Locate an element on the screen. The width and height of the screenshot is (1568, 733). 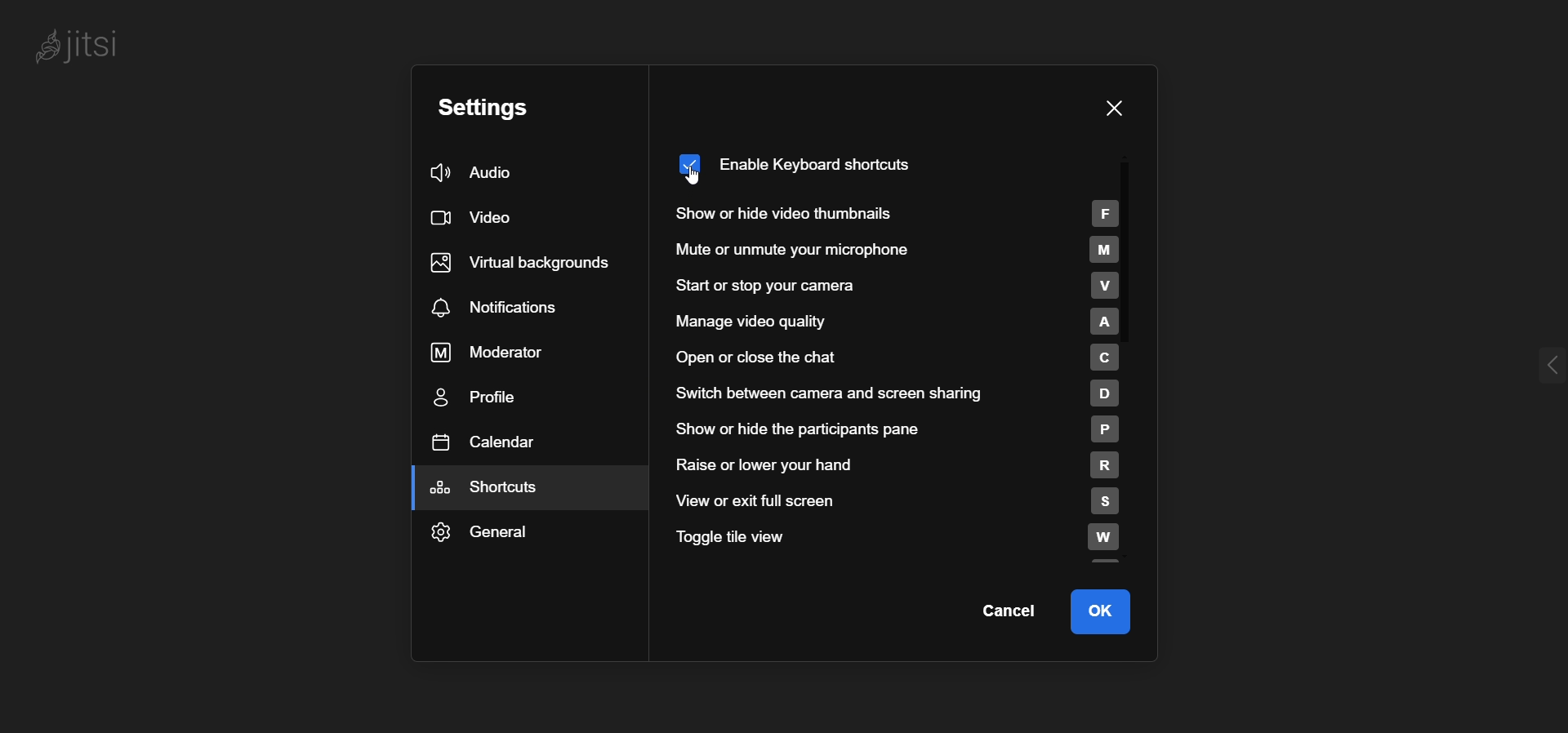
general is located at coordinates (493, 529).